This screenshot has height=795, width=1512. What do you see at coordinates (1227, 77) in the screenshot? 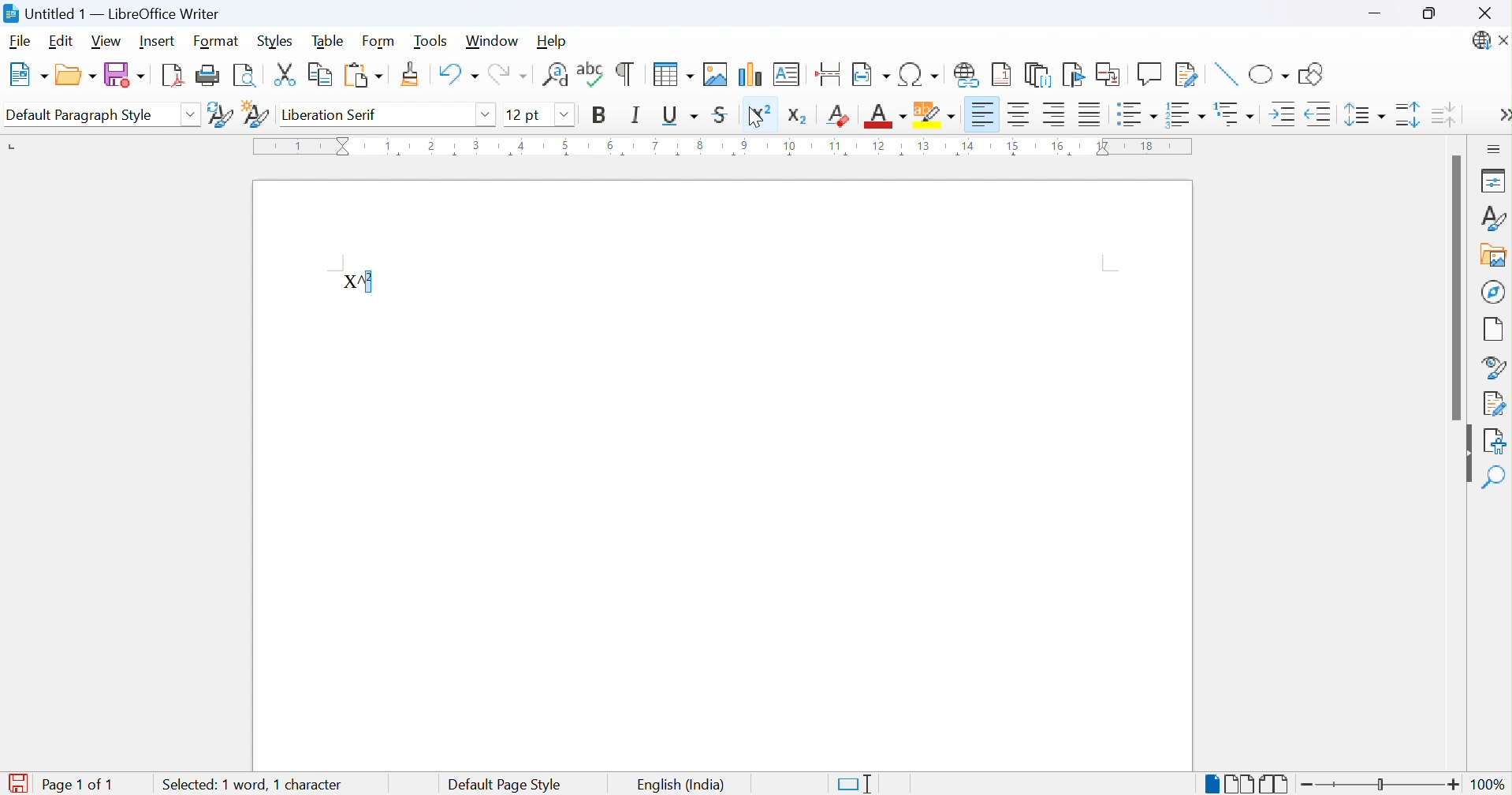
I see `Insert line` at bounding box center [1227, 77].